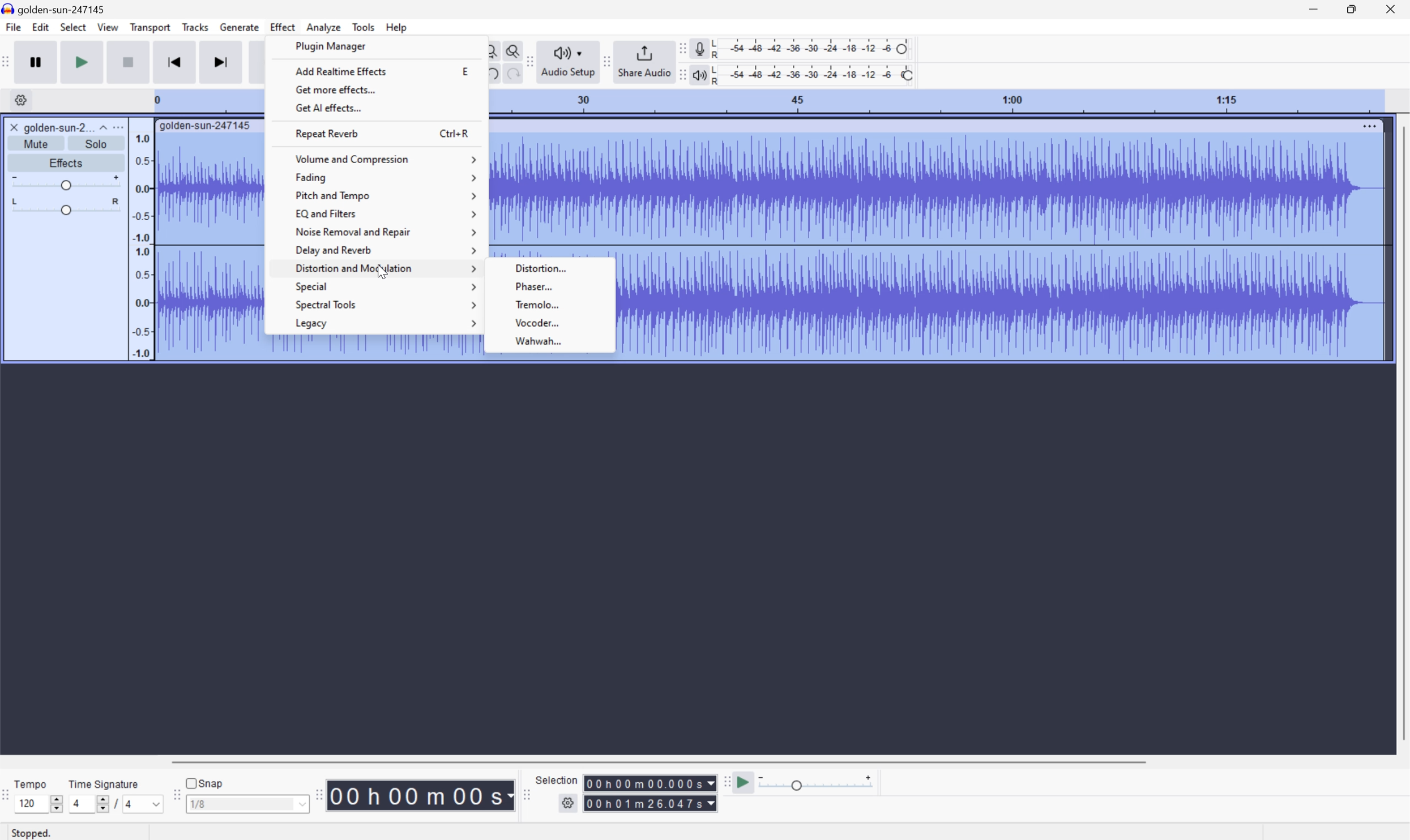  What do you see at coordinates (936, 101) in the screenshot?
I see `Scale` at bounding box center [936, 101].